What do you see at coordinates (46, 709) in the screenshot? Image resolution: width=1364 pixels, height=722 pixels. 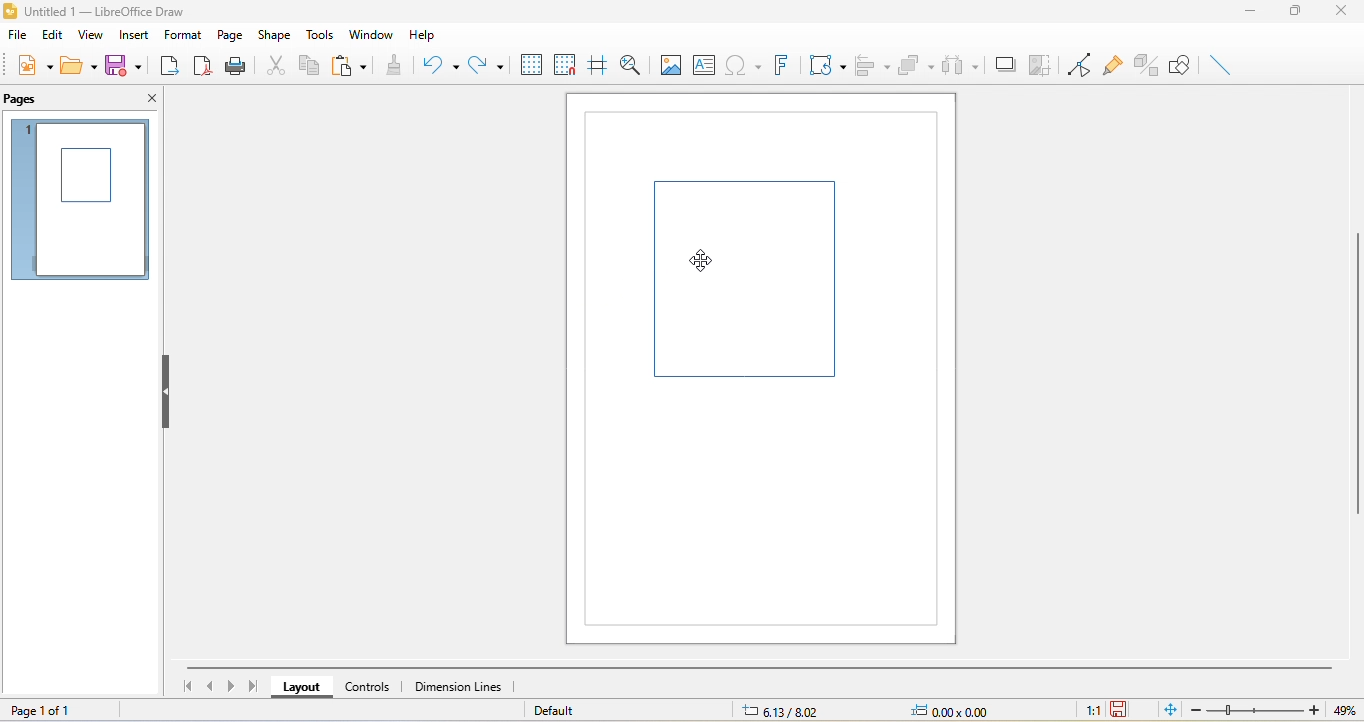 I see `page 1 of 1` at bounding box center [46, 709].